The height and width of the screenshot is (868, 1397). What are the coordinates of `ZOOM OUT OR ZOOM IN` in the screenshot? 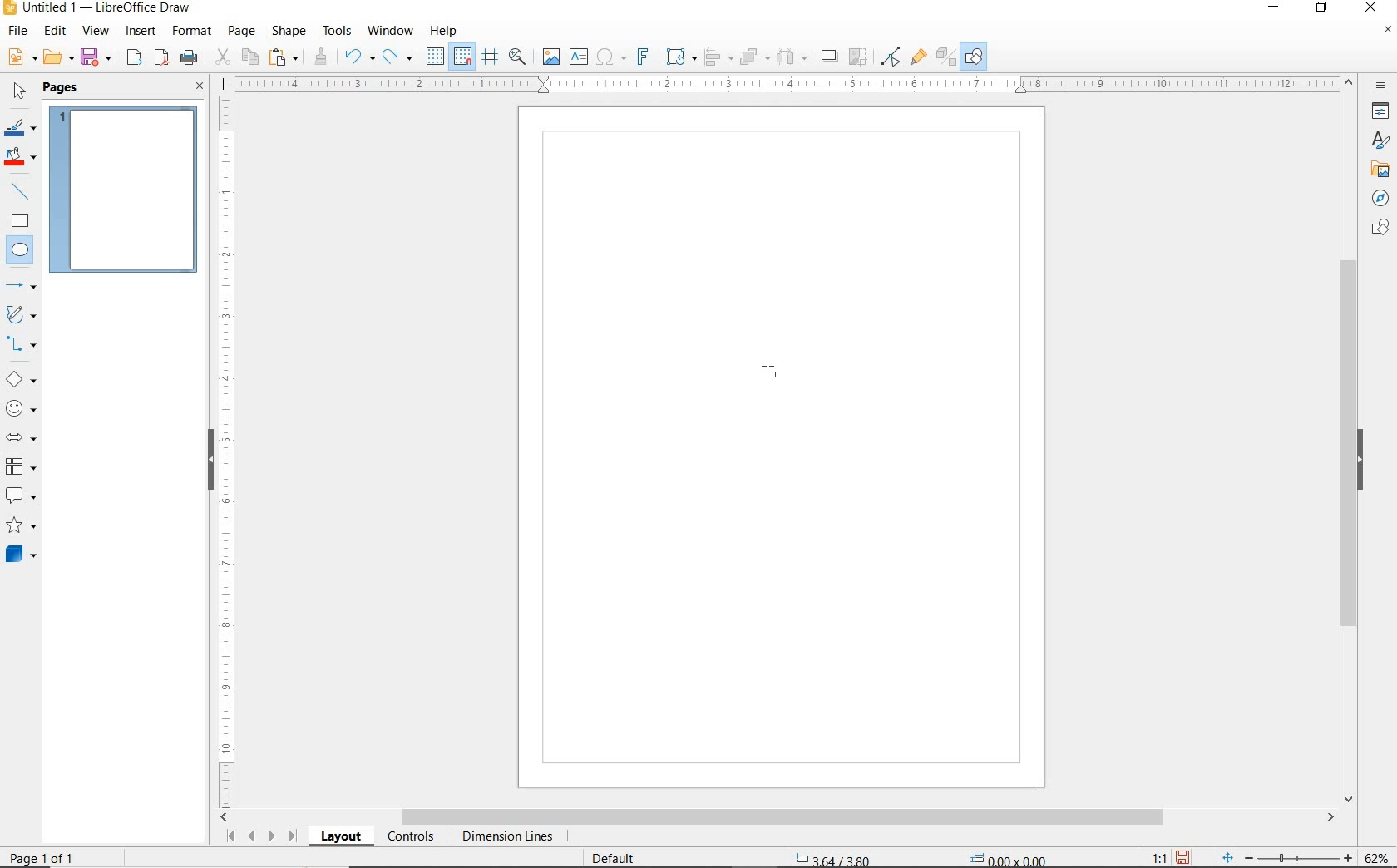 It's located at (1287, 858).